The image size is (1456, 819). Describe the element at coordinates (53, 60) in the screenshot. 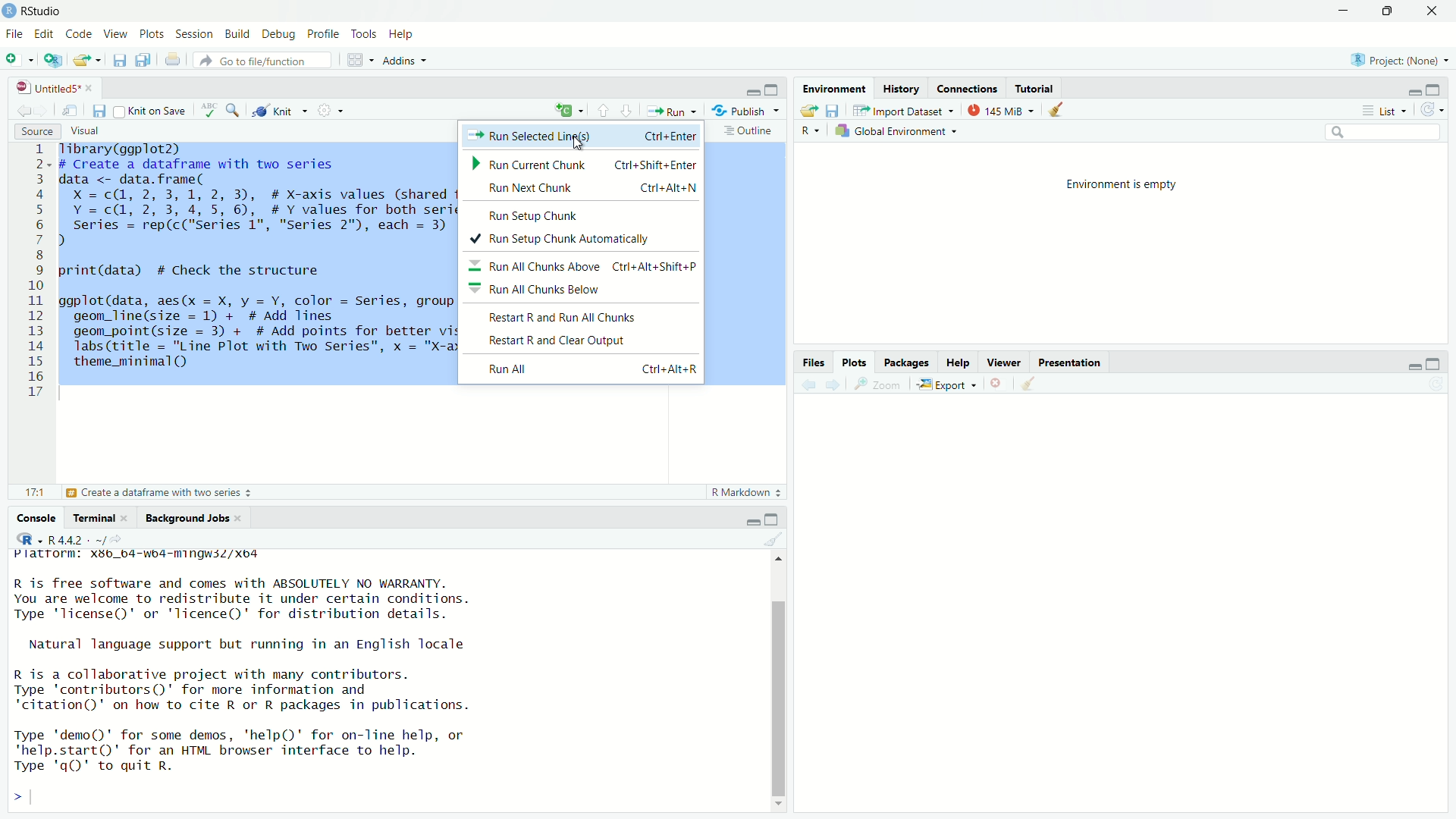

I see `Create a project` at that location.